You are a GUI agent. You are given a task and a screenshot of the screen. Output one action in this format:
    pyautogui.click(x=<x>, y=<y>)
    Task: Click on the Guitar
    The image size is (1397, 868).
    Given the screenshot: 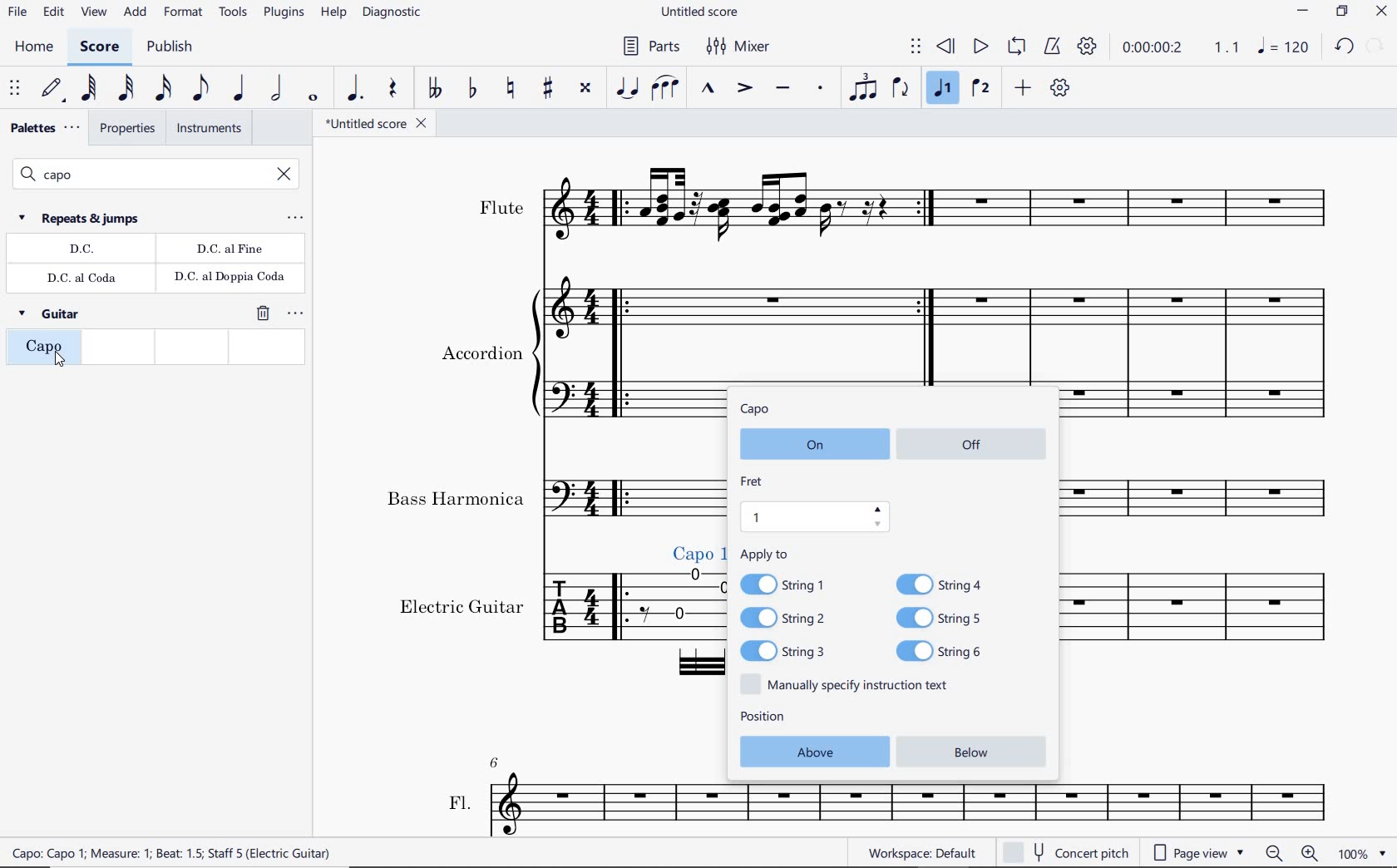 What is the action you would take?
    pyautogui.click(x=52, y=317)
    